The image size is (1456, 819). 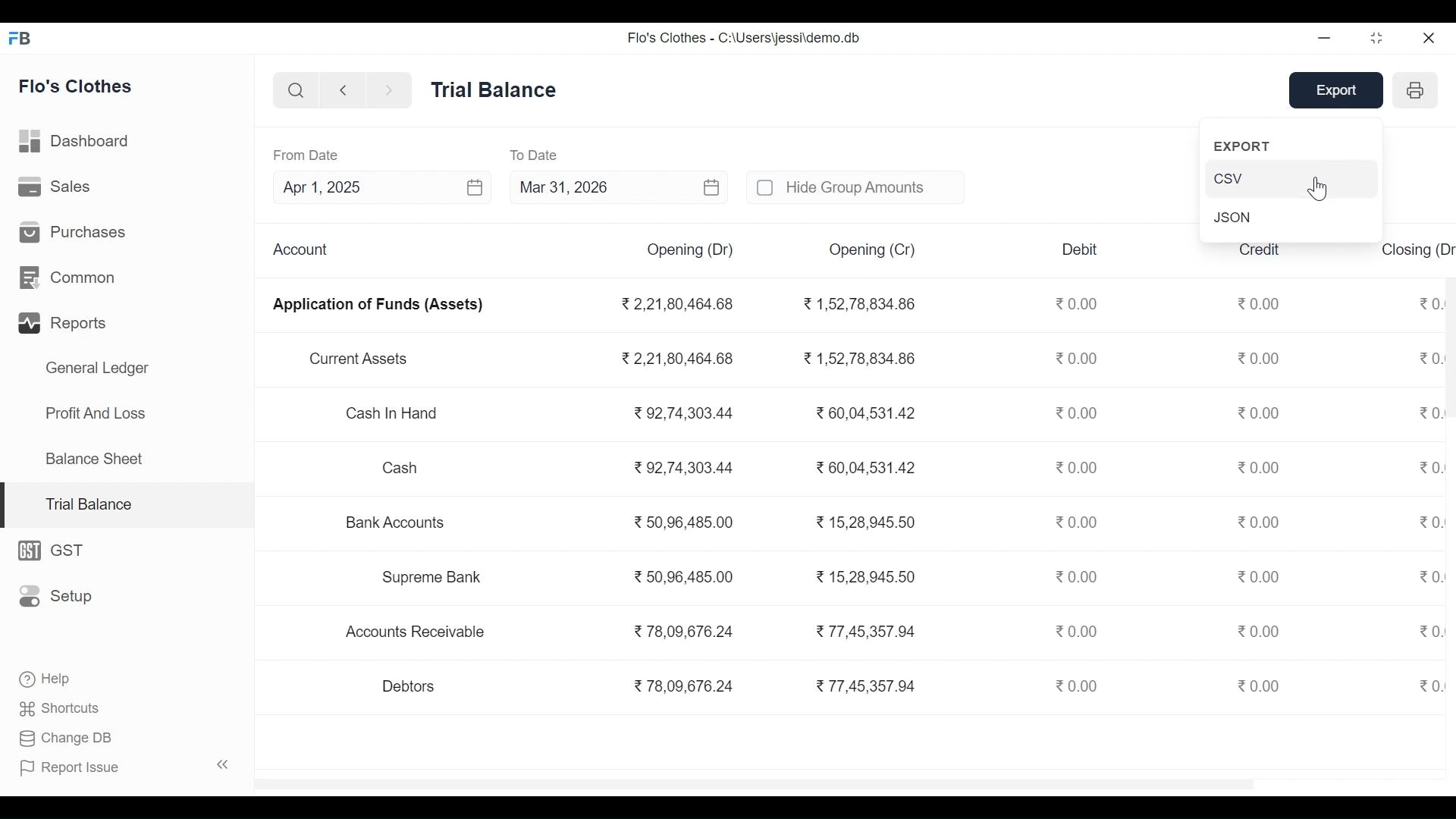 I want to click on 60,04,531.42, so click(x=863, y=466).